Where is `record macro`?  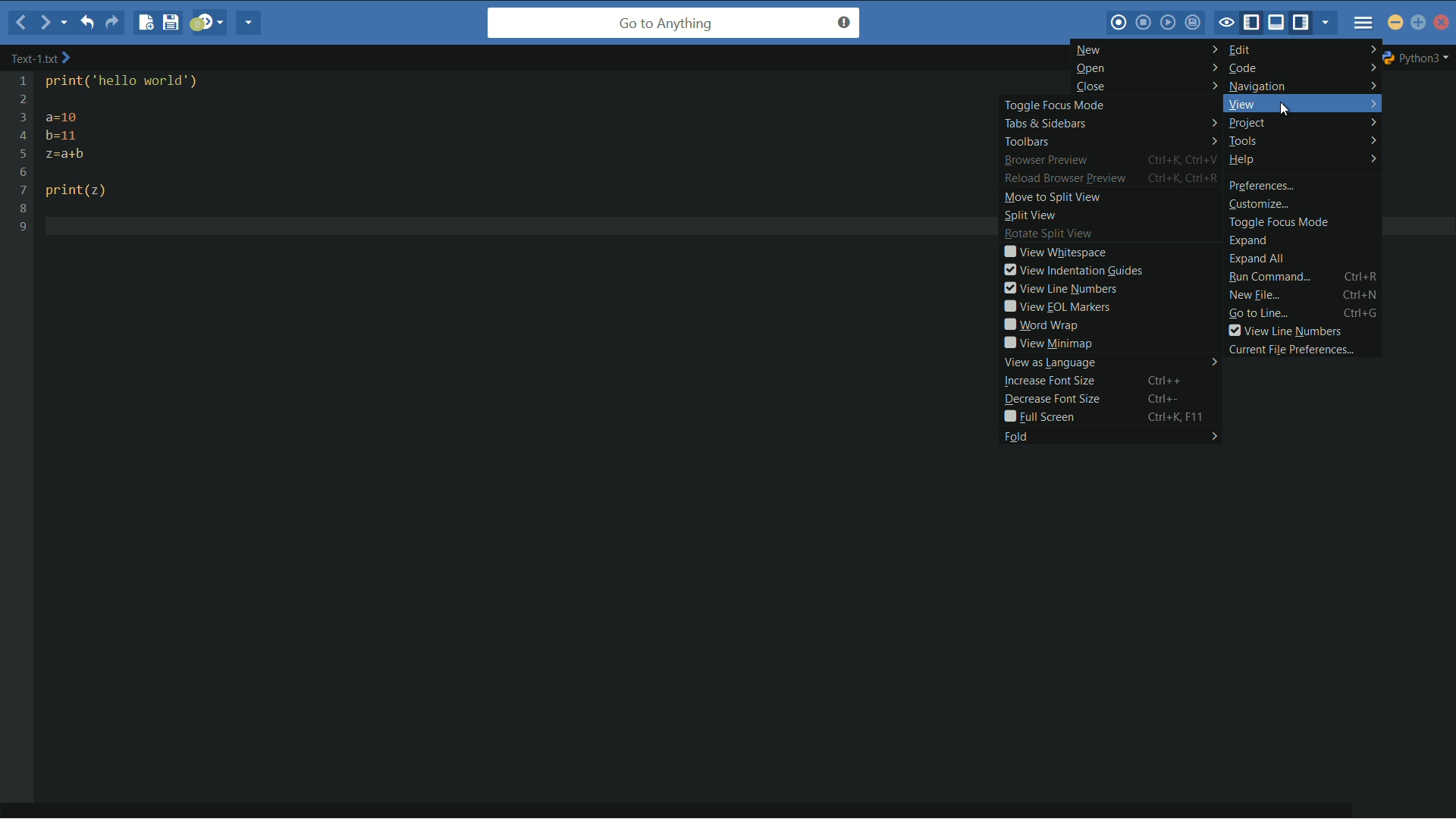
record macro is located at coordinates (1120, 22).